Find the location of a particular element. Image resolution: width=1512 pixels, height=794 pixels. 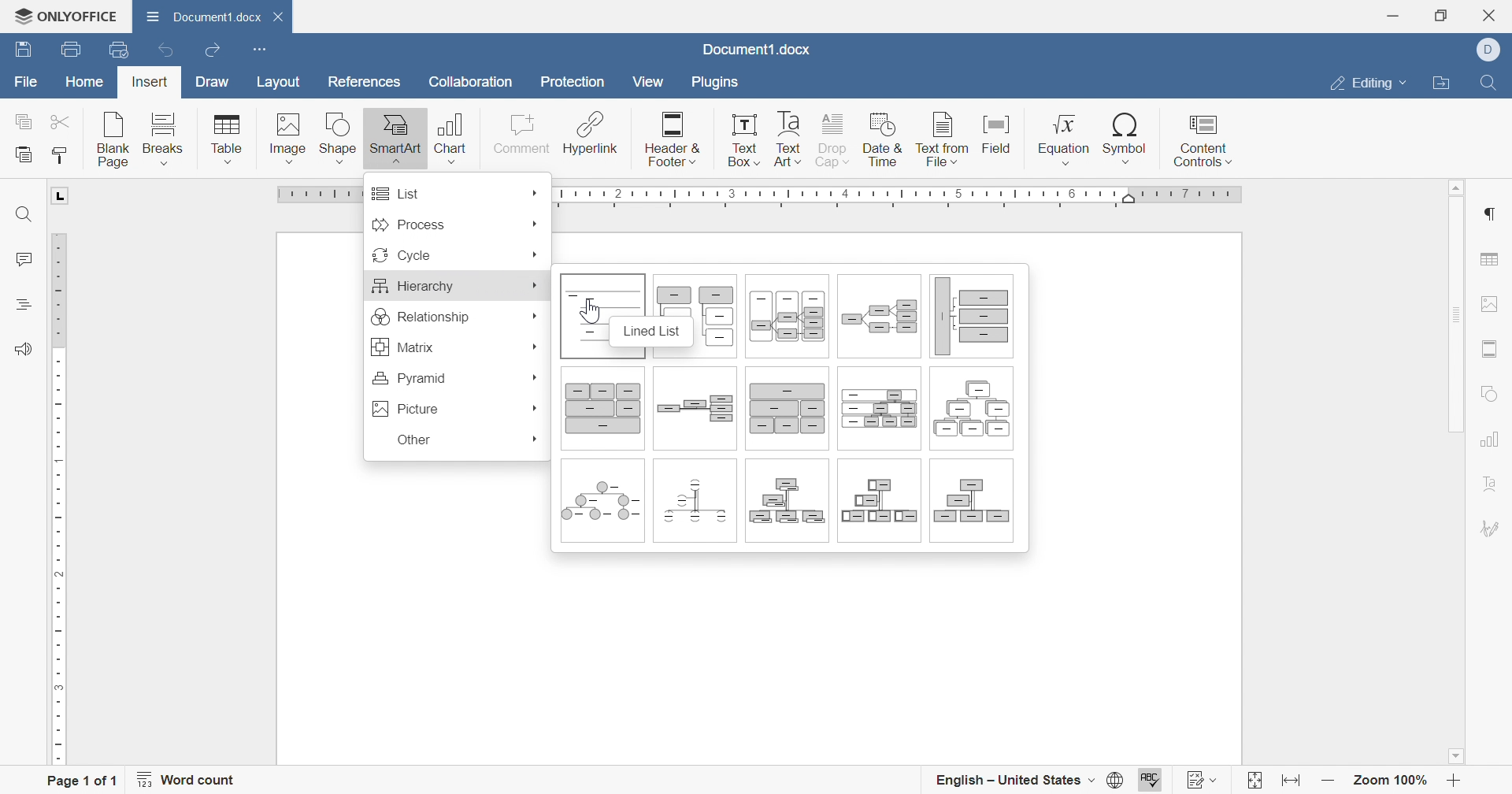

More is located at coordinates (535, 348).